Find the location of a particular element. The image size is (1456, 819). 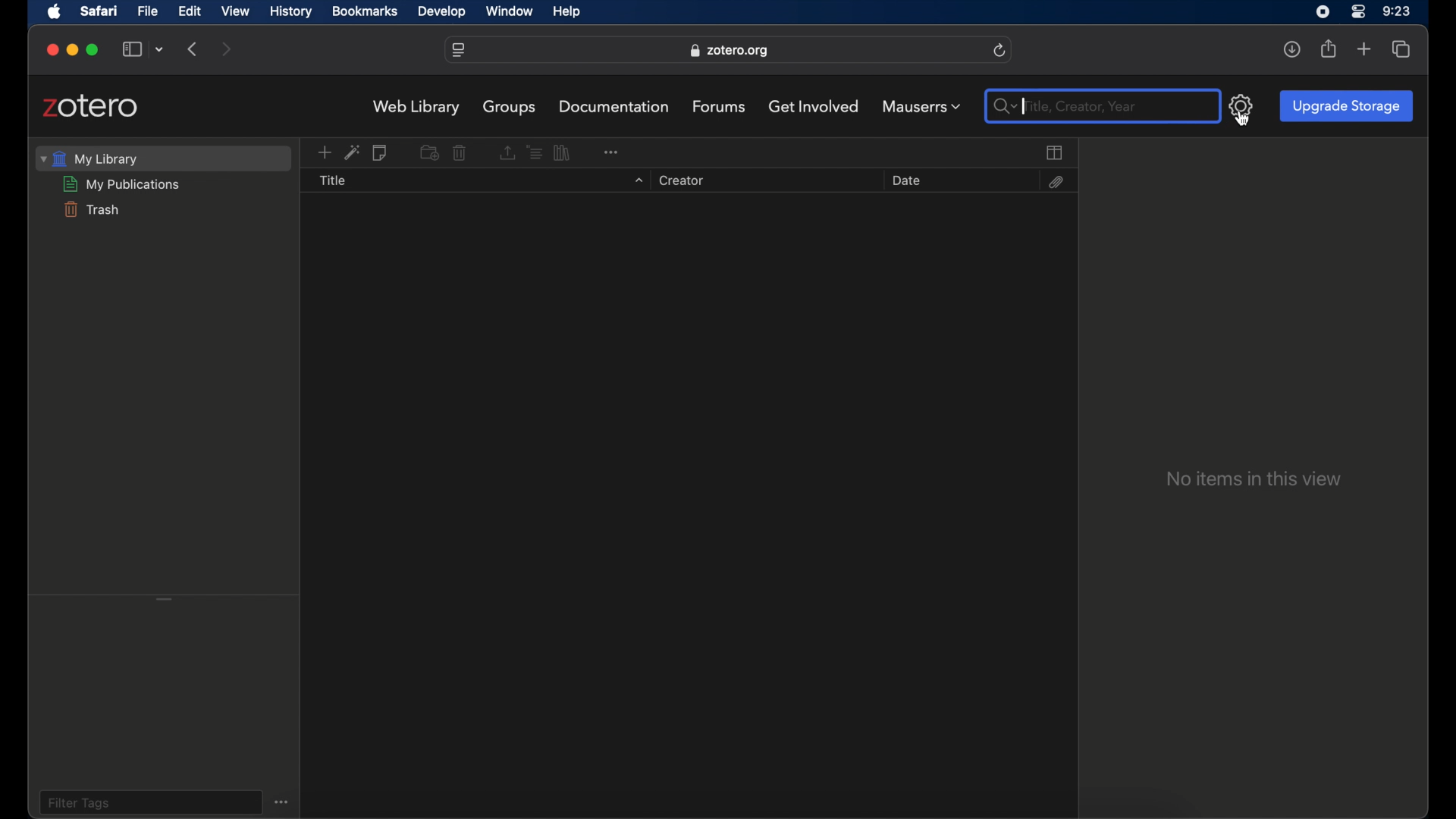

next is located at coordinates (227, 50).